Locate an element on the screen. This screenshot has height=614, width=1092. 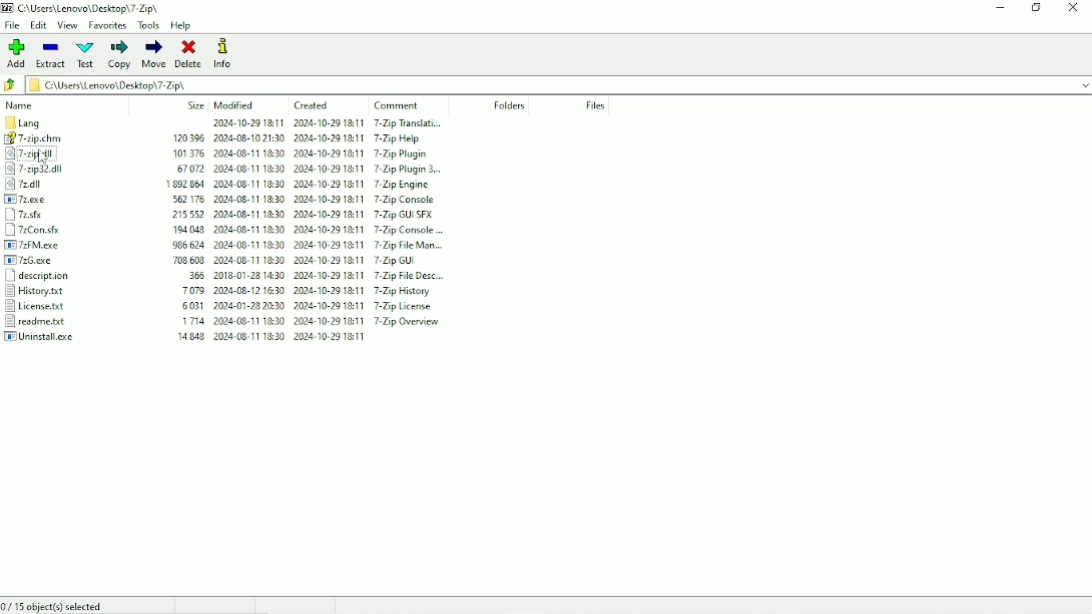
7-zip.dll is located at coordinates (218, 154).